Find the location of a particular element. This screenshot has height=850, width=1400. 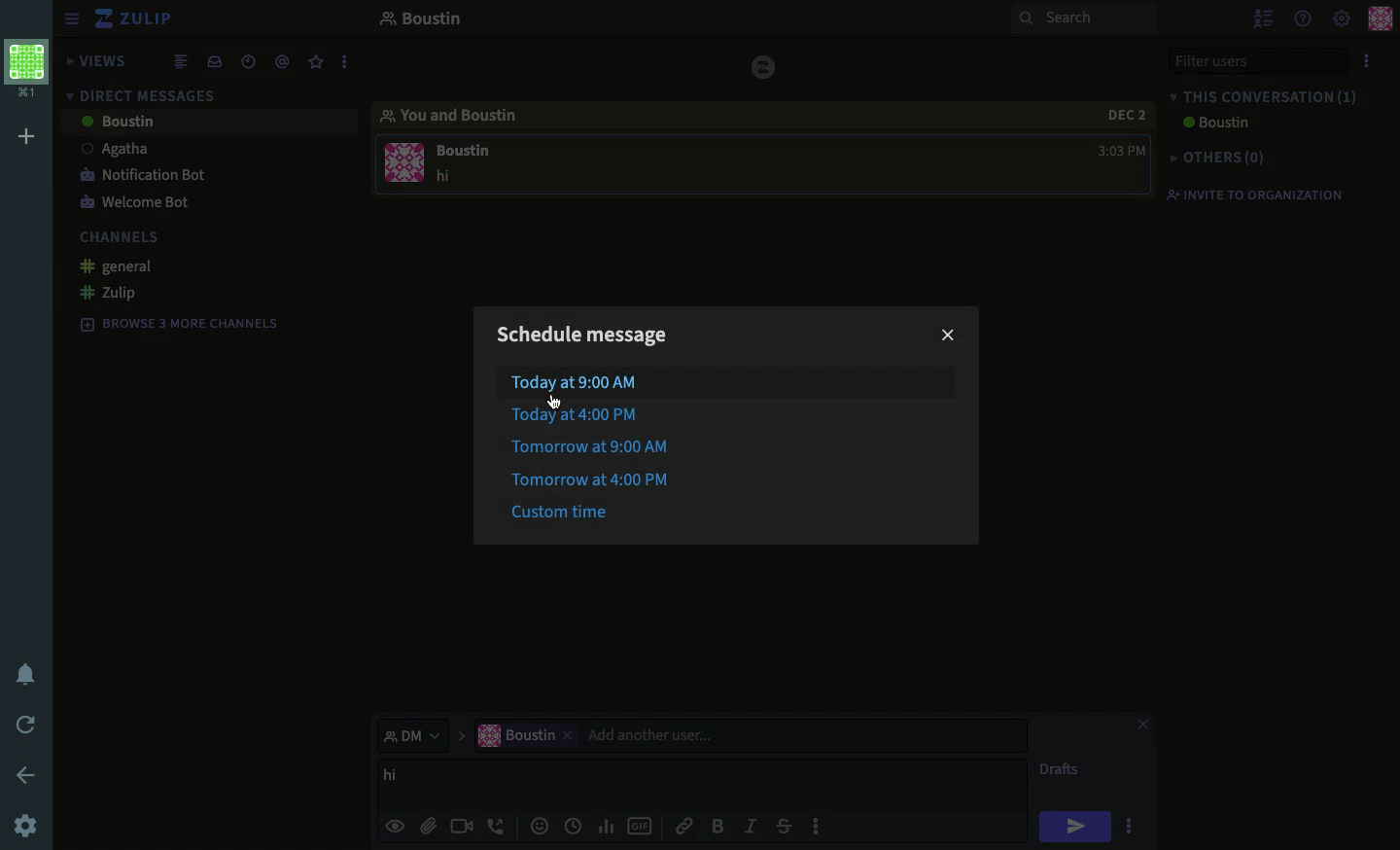

hide user list is located at coordinates (1264, 18).